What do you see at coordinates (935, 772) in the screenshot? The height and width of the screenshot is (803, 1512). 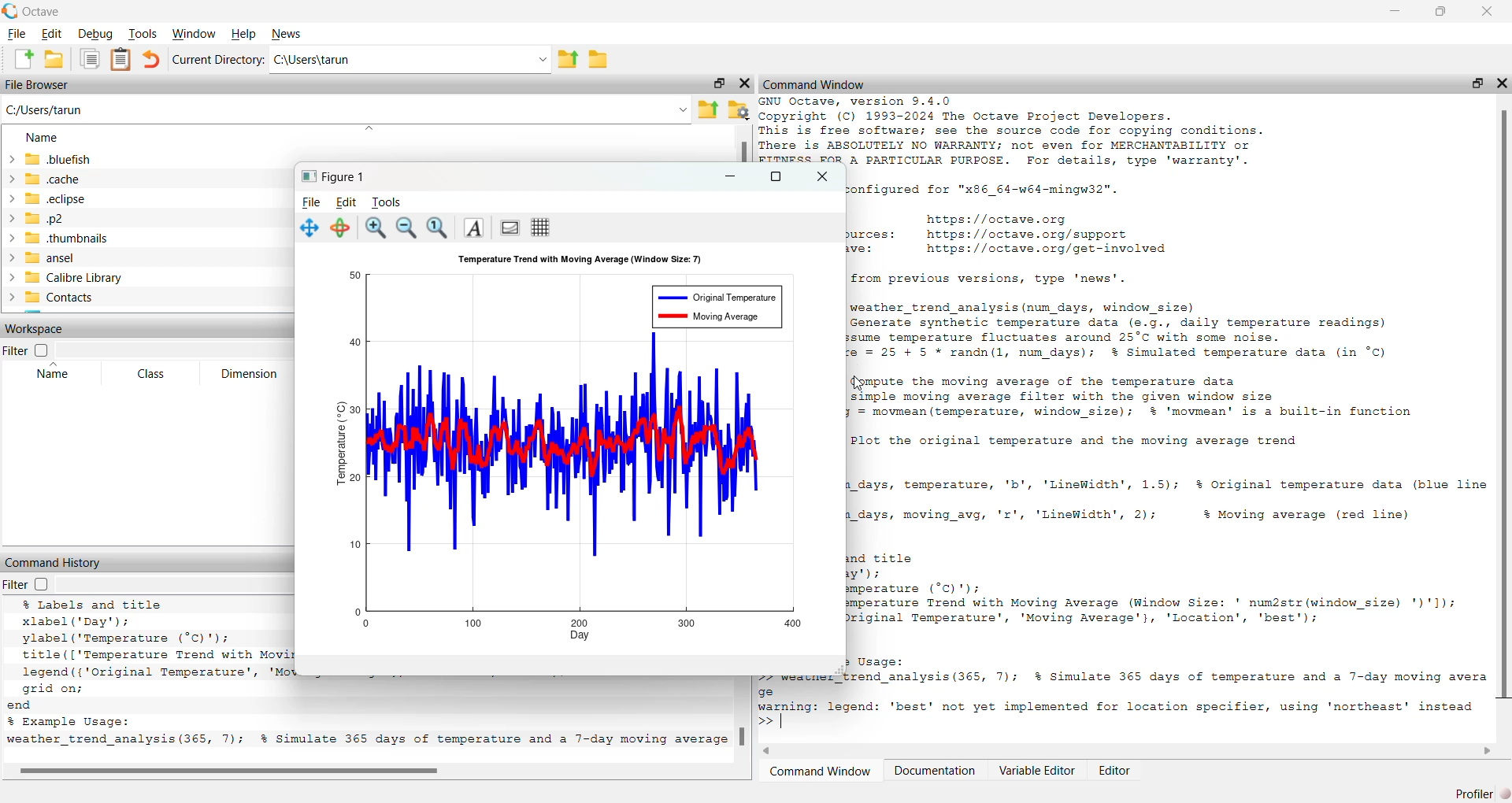 I see `Documentation` at bounding box center [935, 772].